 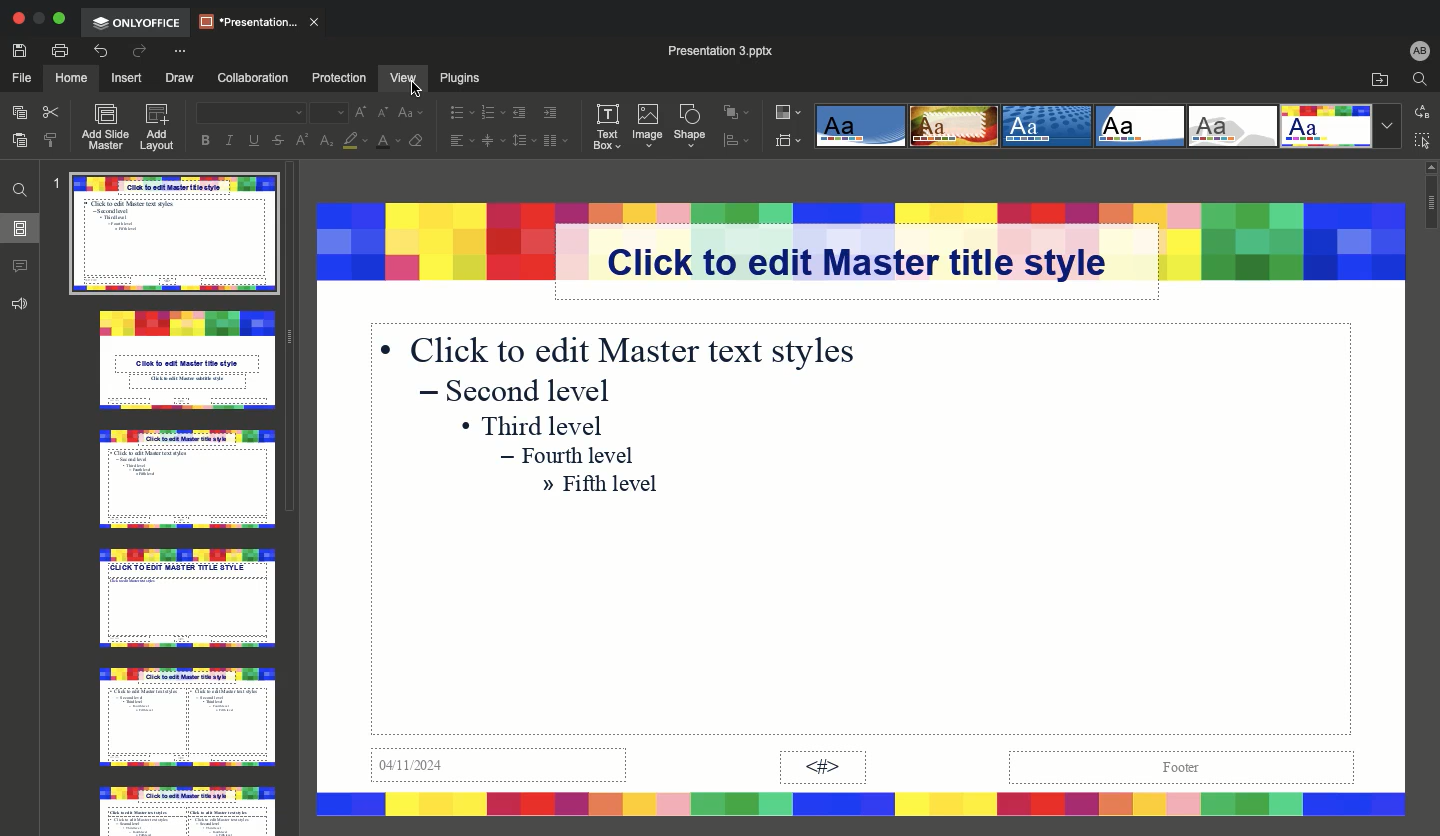 I want to click on Green leaf style, so click(x=1235, y=127).